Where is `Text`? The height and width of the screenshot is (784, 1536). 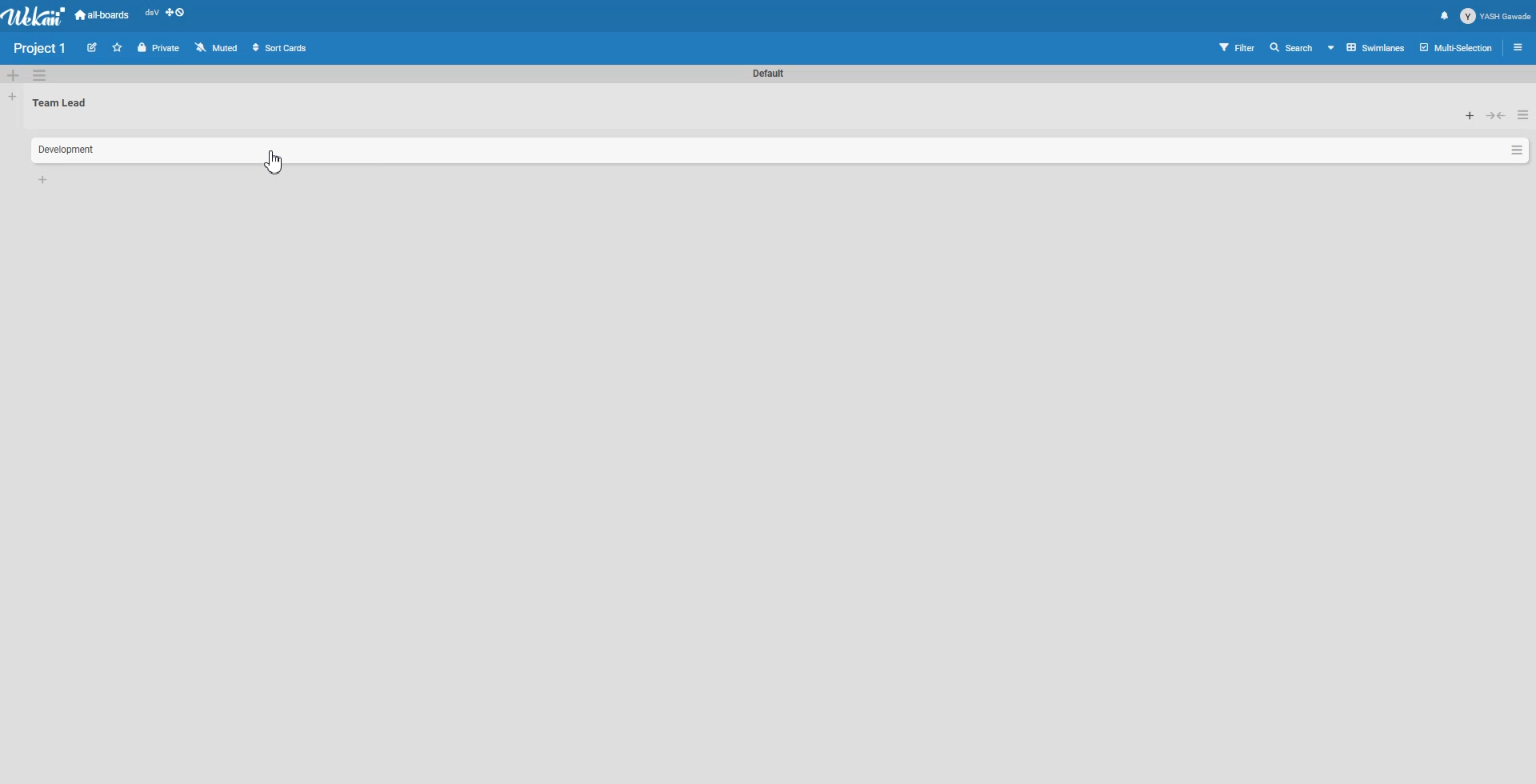 Text is located at coordinates (768, 74).